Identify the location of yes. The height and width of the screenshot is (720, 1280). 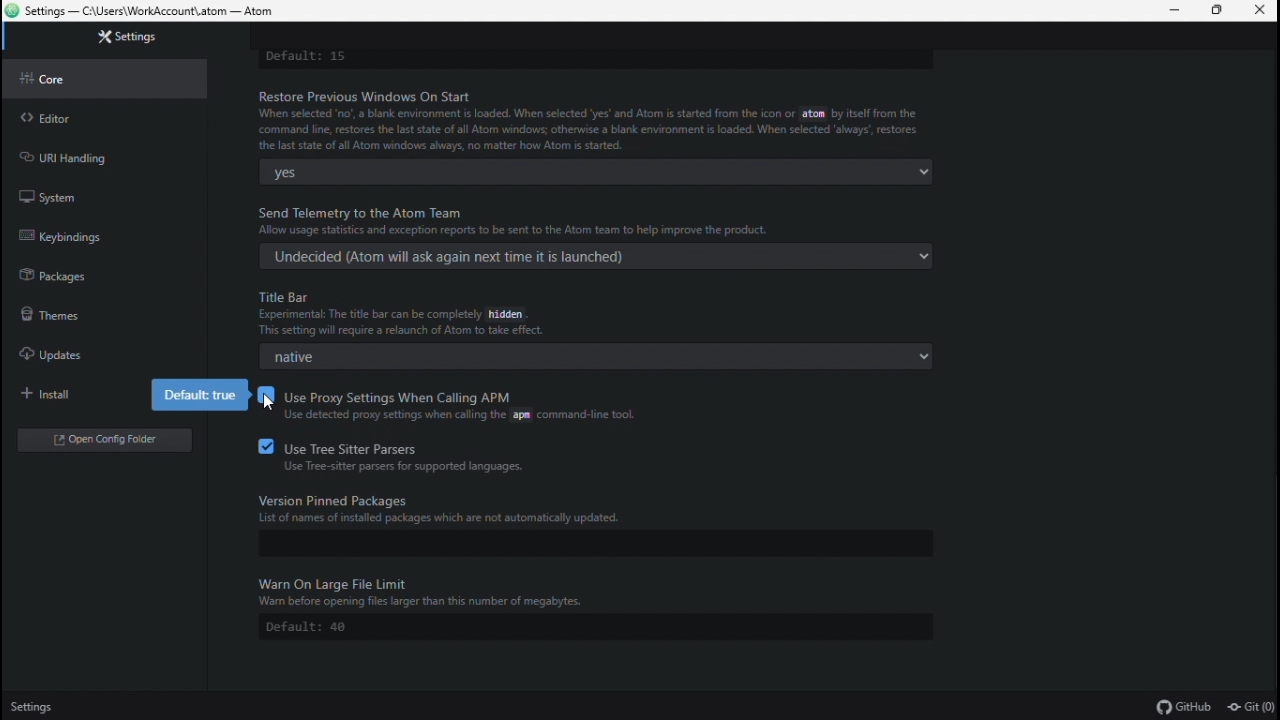
(591, 171).